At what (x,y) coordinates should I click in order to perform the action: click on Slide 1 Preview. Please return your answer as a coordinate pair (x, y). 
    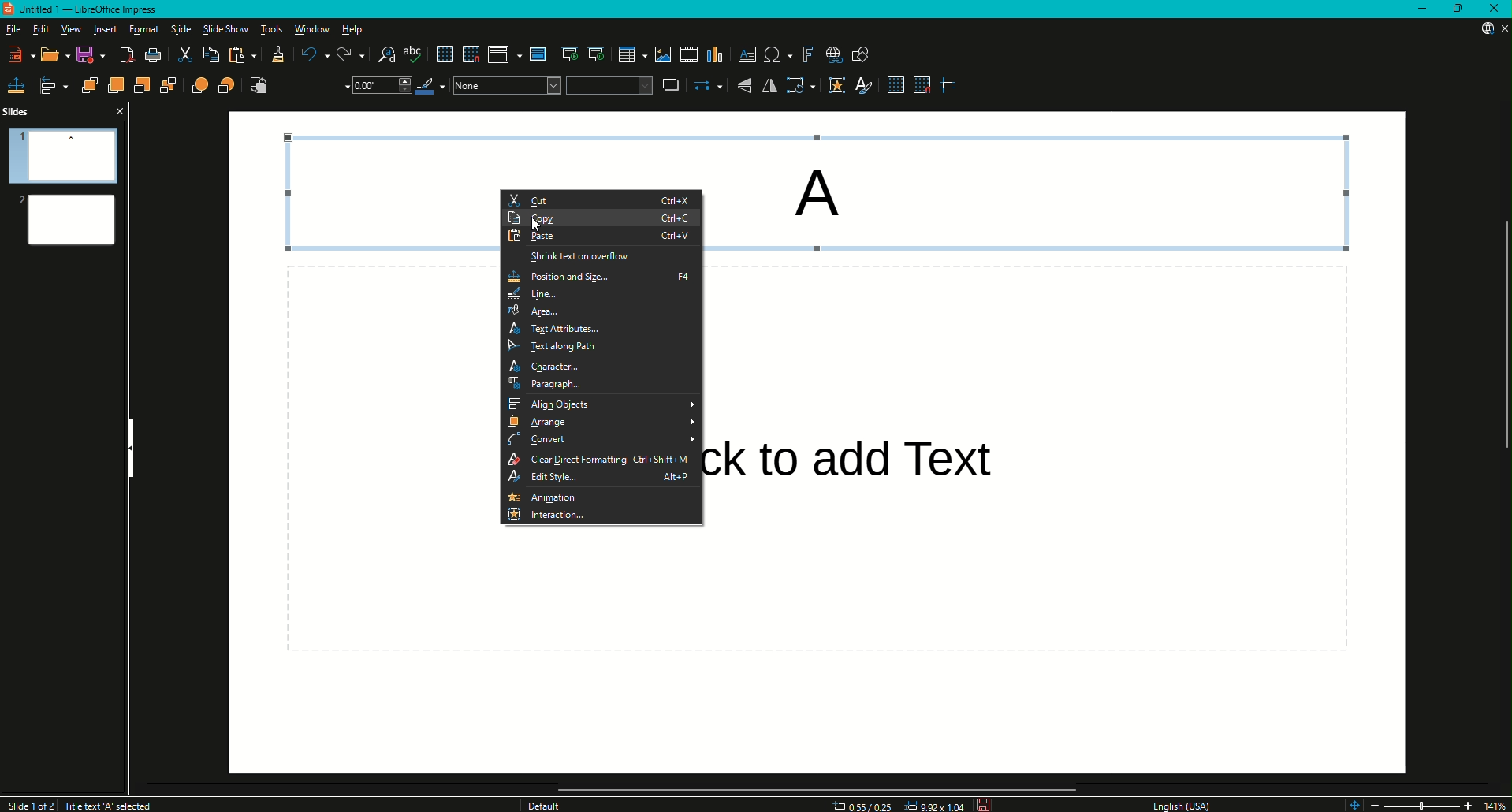
    Looking at the image, I should click on (65, 155).